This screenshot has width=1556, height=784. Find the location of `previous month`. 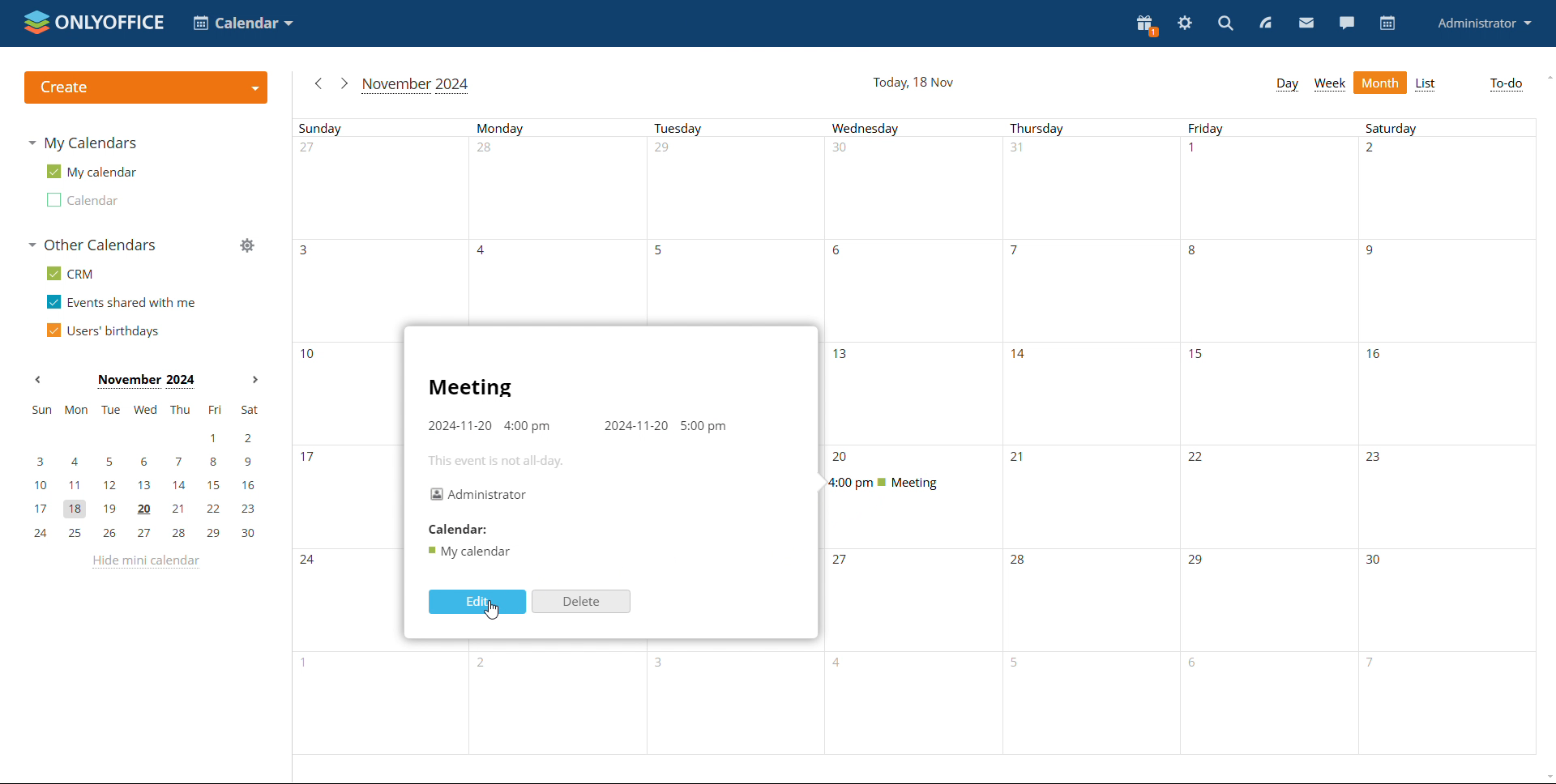

previous month is located at coordinates (37, 380).